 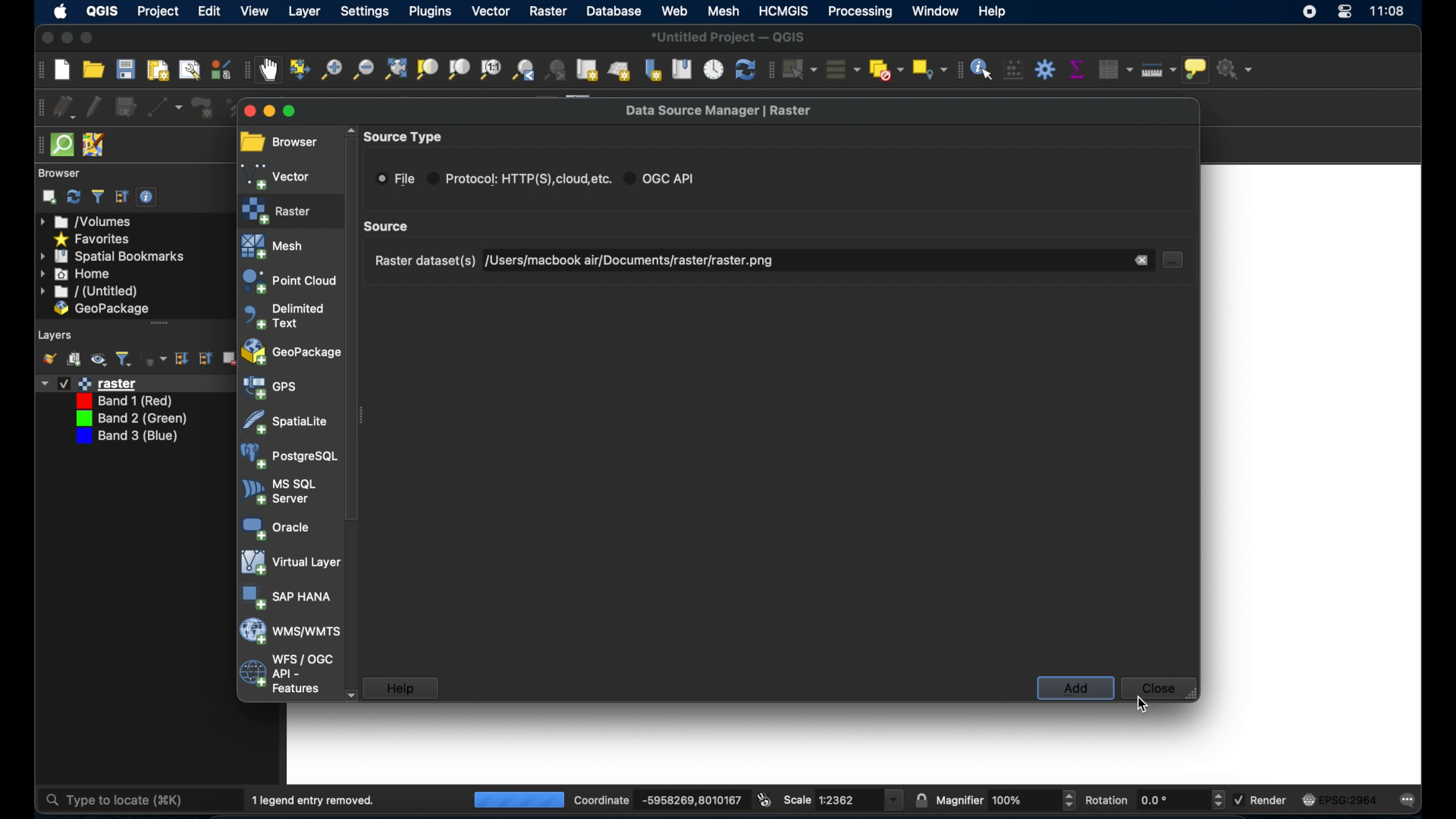 I want to click on untitled project - QGIS, so click(x=732, y=36).